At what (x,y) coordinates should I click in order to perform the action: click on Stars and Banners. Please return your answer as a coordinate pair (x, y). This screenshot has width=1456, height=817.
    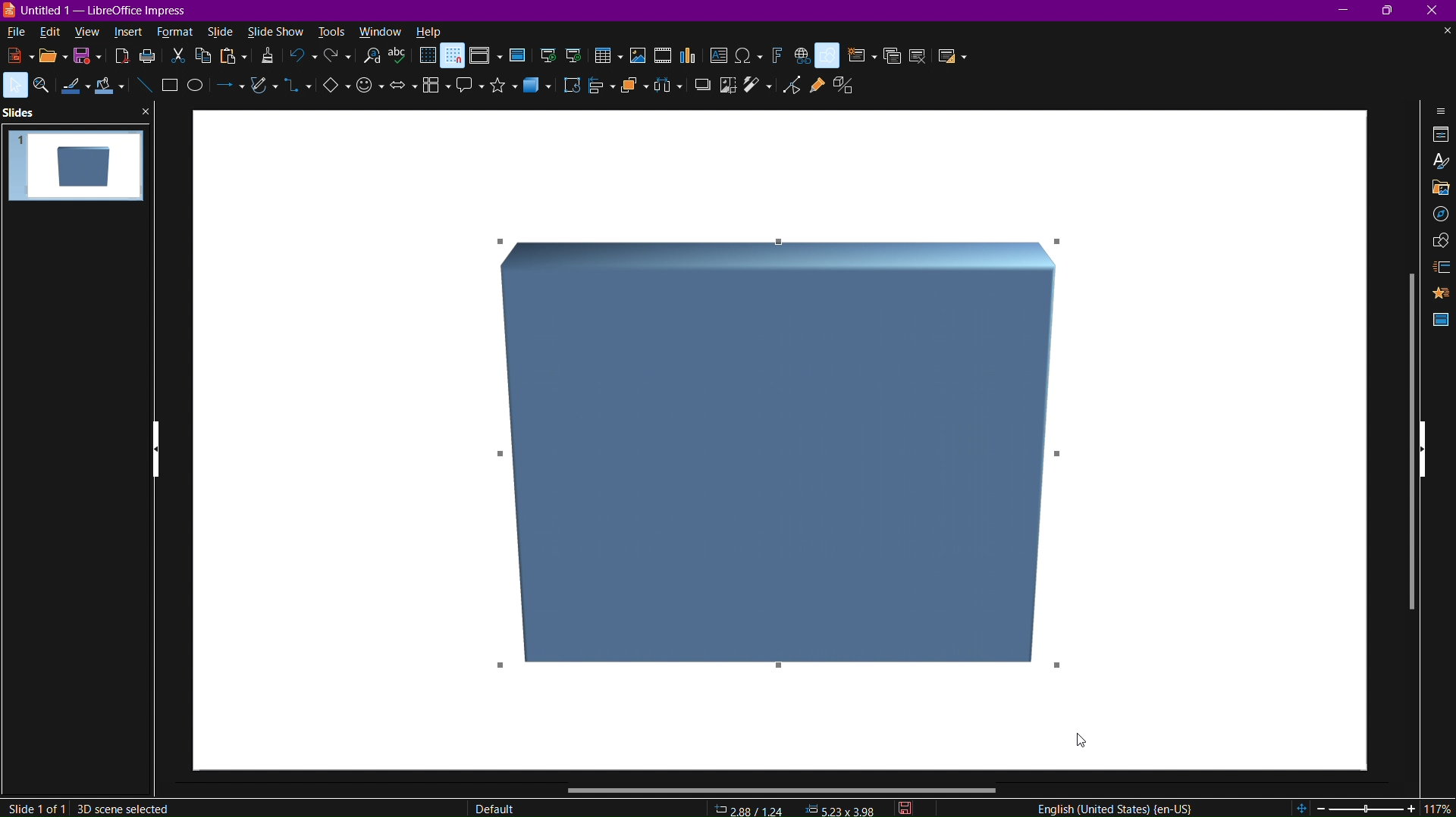
    Looking at the image, I should click on (499, 90).